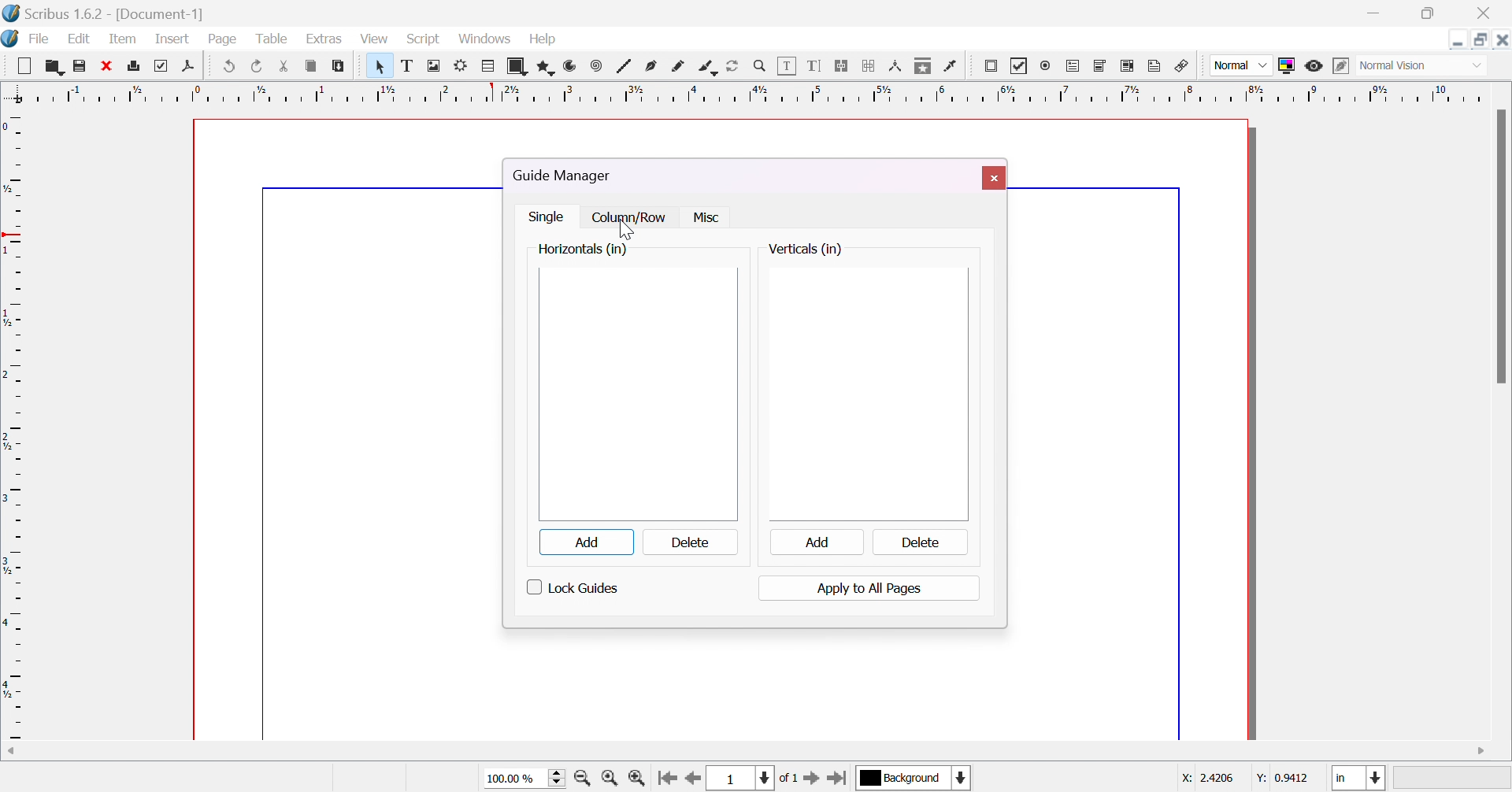 This screenshot has height=792, width=1512. Describe the element at coordinates (806, 249) in the screenshot. I see `verticals(in)` at that location.